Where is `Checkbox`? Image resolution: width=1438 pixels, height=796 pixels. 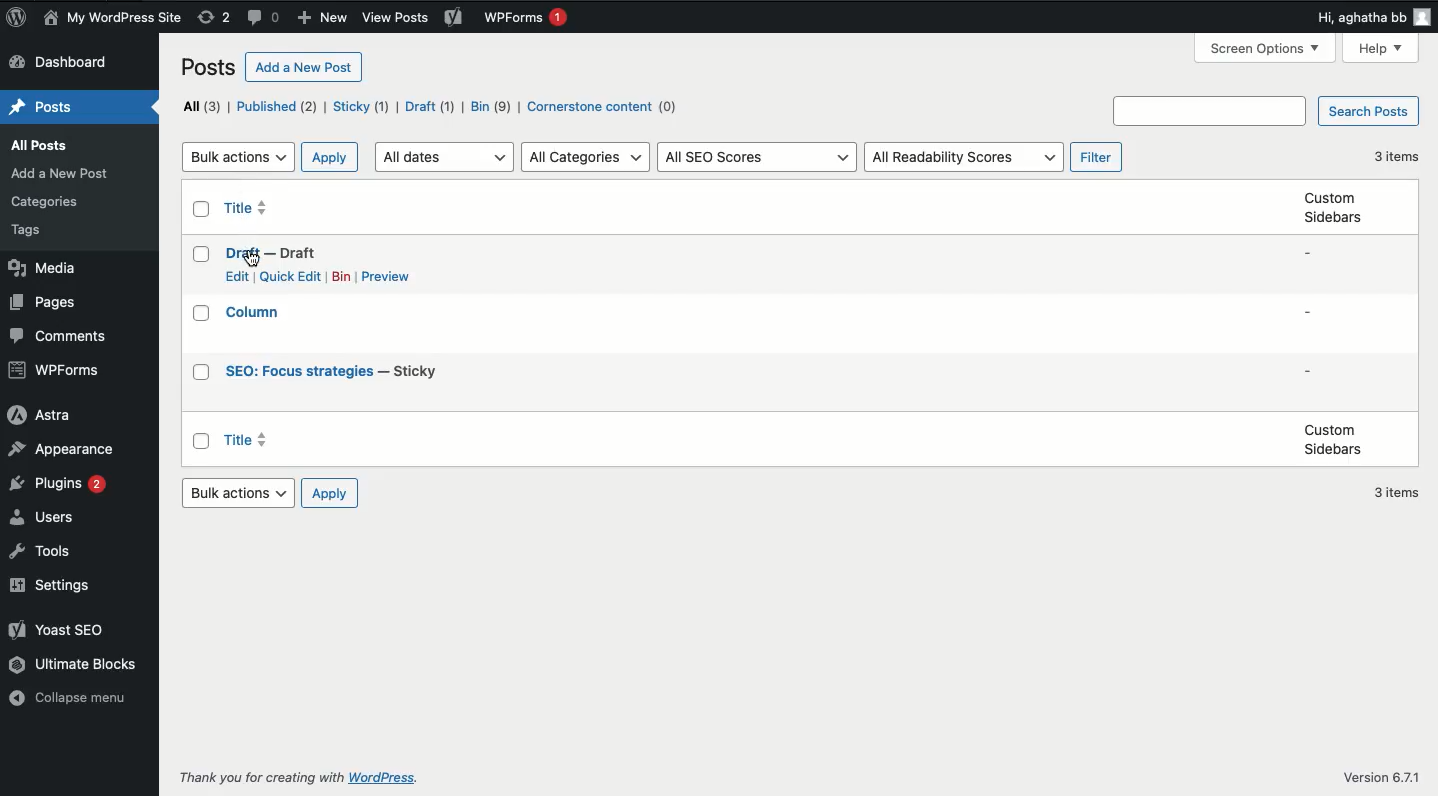
Checkbox is located at coordinates (203, 255).